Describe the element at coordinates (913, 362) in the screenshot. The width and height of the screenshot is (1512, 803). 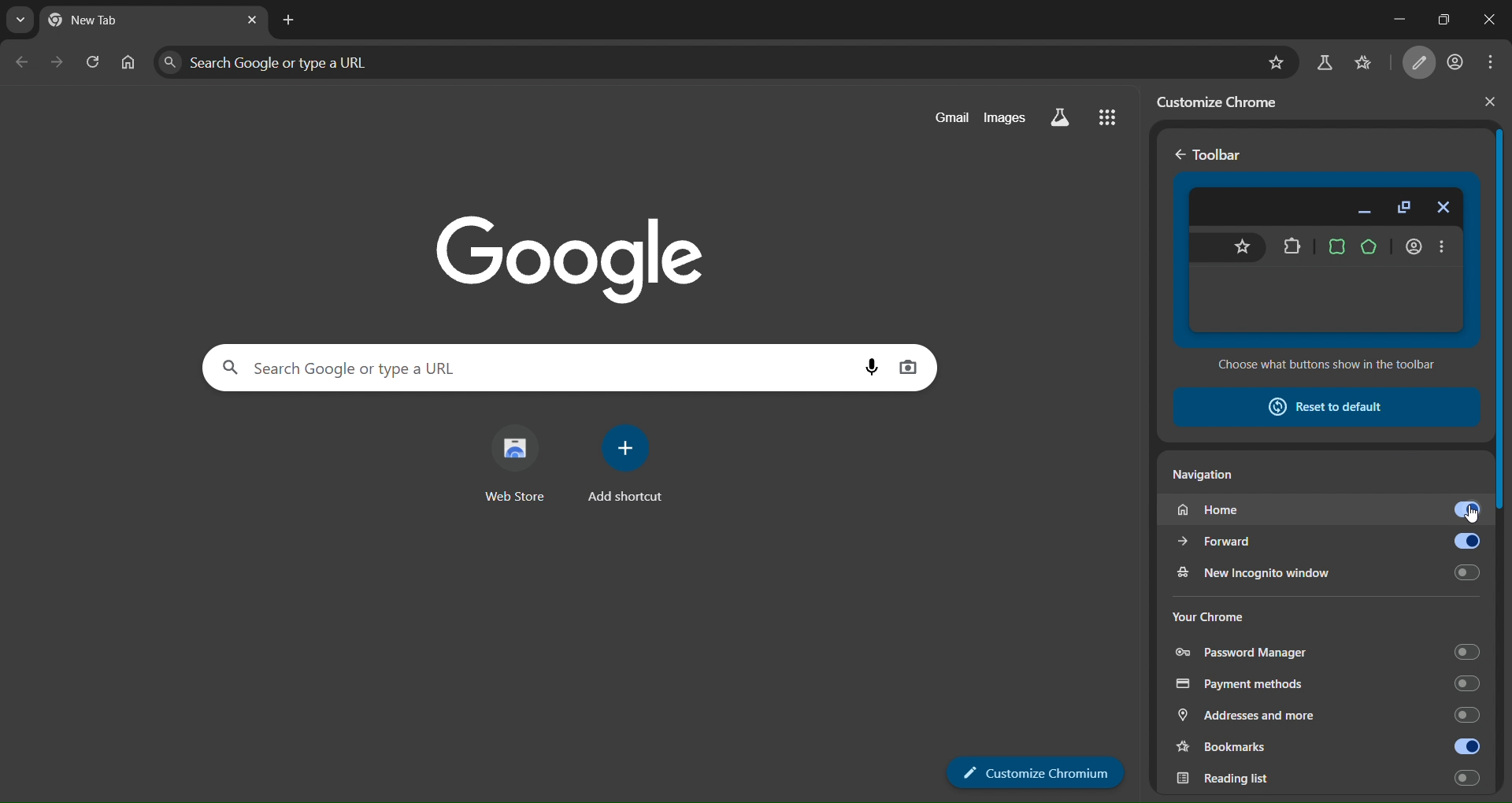
I see `image search` at that location.